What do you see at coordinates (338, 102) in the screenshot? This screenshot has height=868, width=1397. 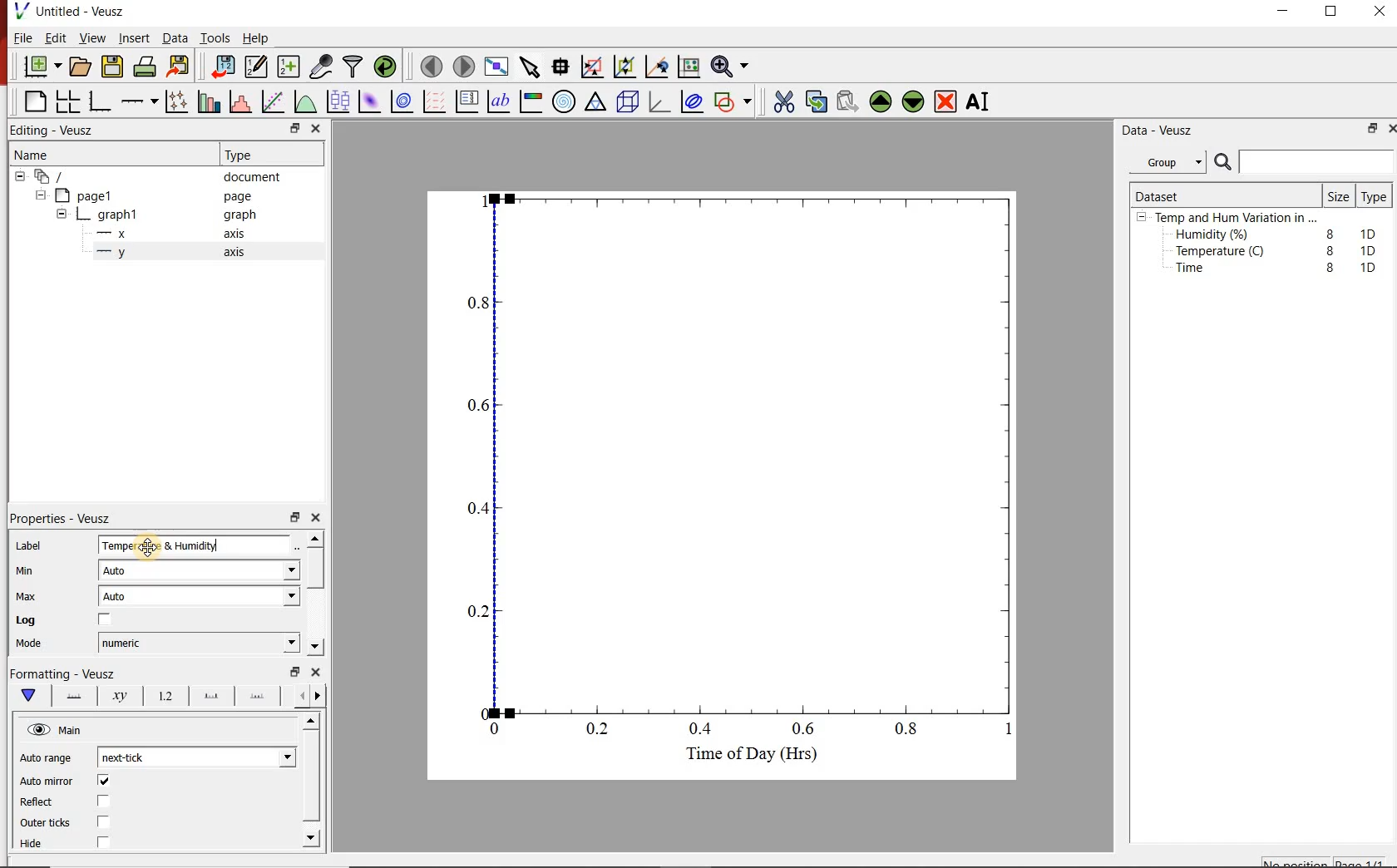 I see `plot box plots` at bounding box center [338, 102].